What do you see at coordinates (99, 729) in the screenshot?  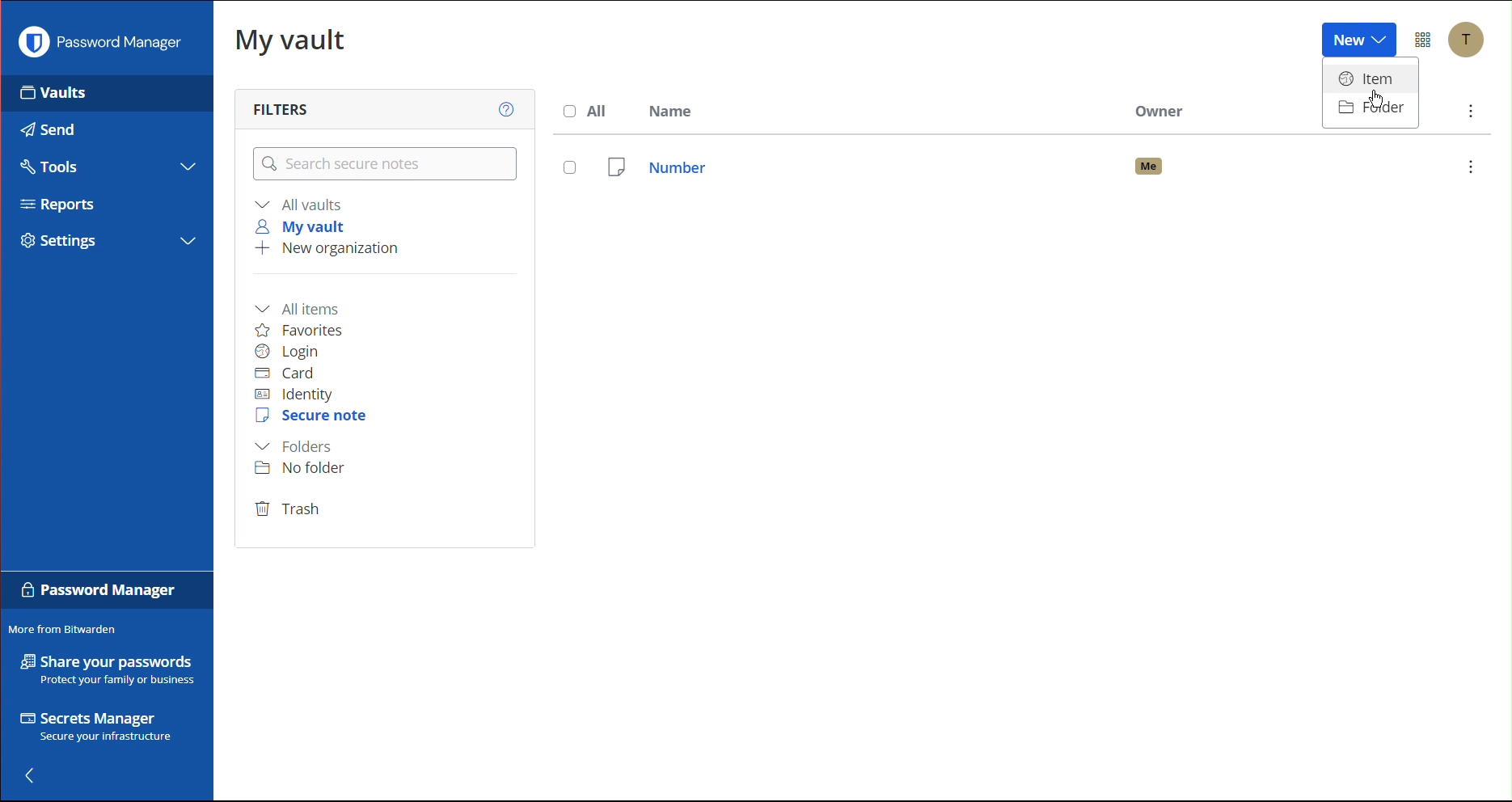 I see `Secrets Manager` at bounding box center [99, 729].